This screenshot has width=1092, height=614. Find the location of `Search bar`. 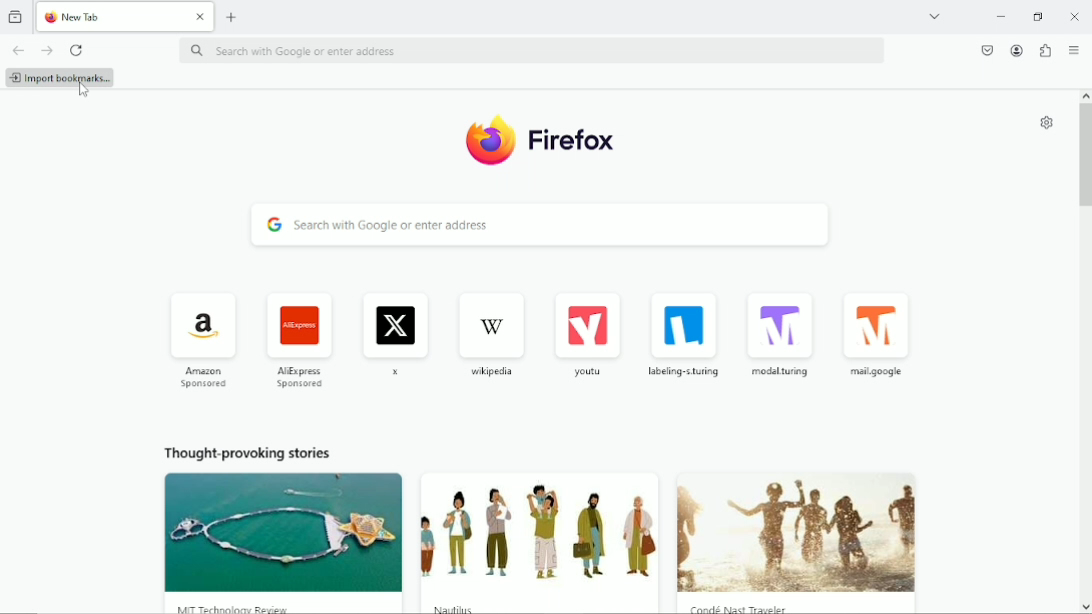

Search bar is located at coordinates (530, 50).